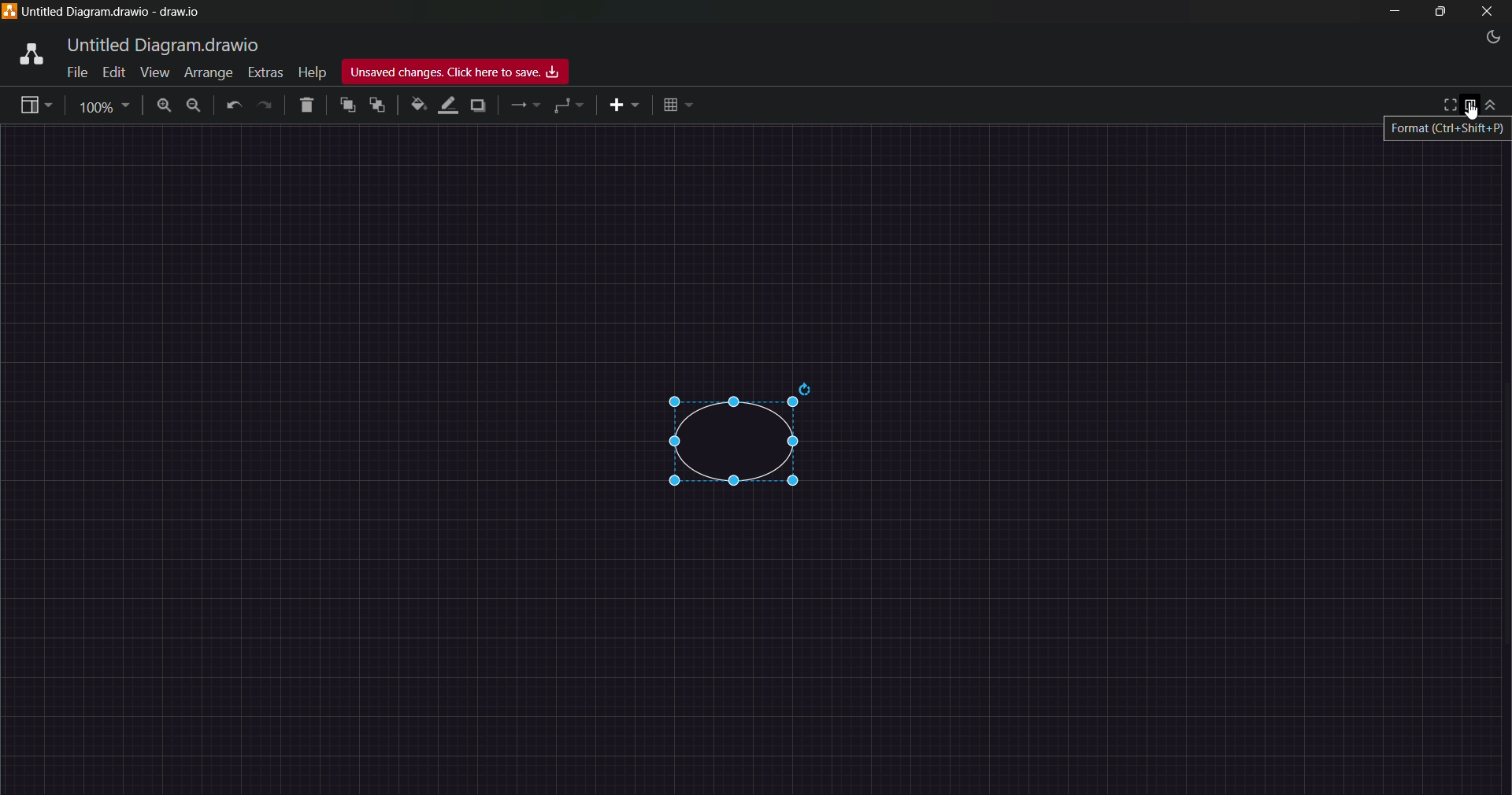 This screenshot has width=1512, height=795. Describe the element at coordinates (114, 72) in the screenshot. I see `edit` at that location.